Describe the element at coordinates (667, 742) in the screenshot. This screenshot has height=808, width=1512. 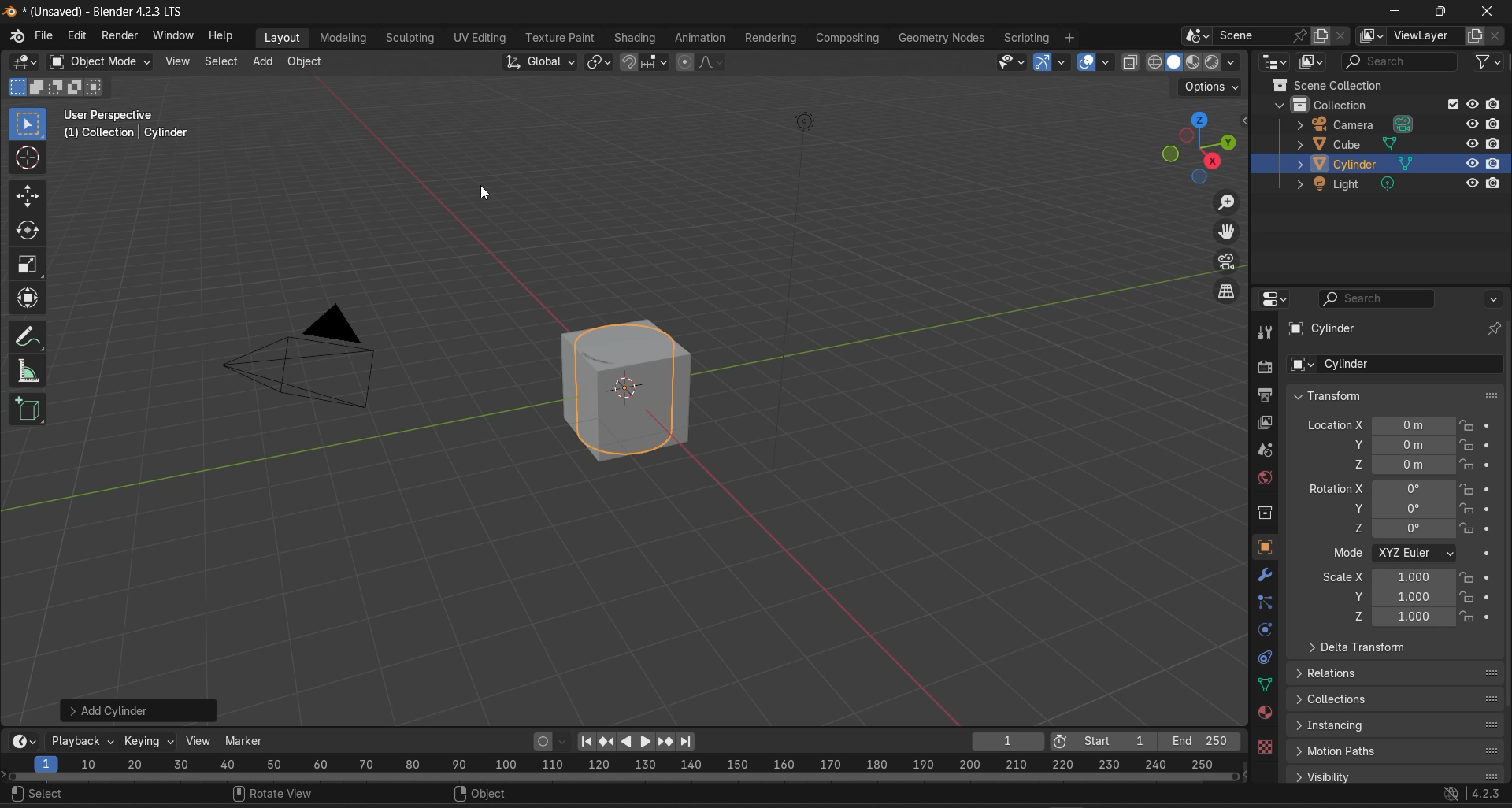
I see `jump to keyframe` at that location.